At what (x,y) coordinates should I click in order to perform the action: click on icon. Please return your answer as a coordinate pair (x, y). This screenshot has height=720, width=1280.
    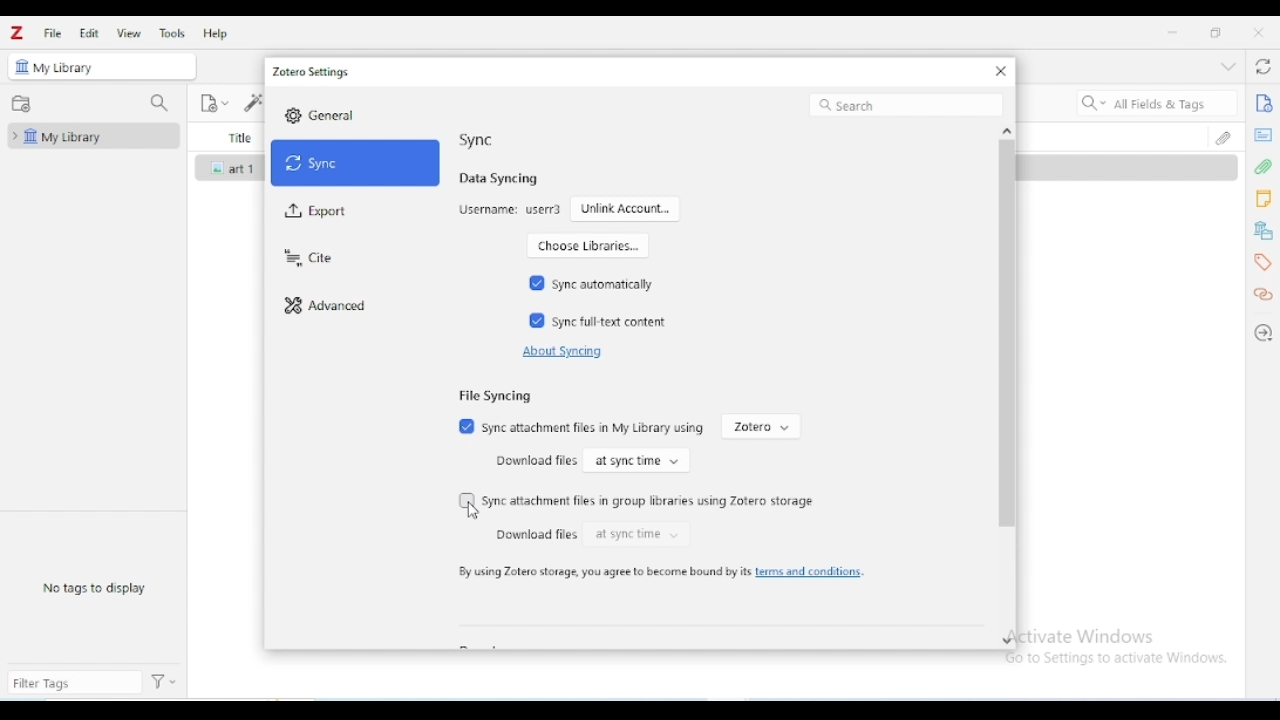
    Looking at the image, I should click on (23, 66).